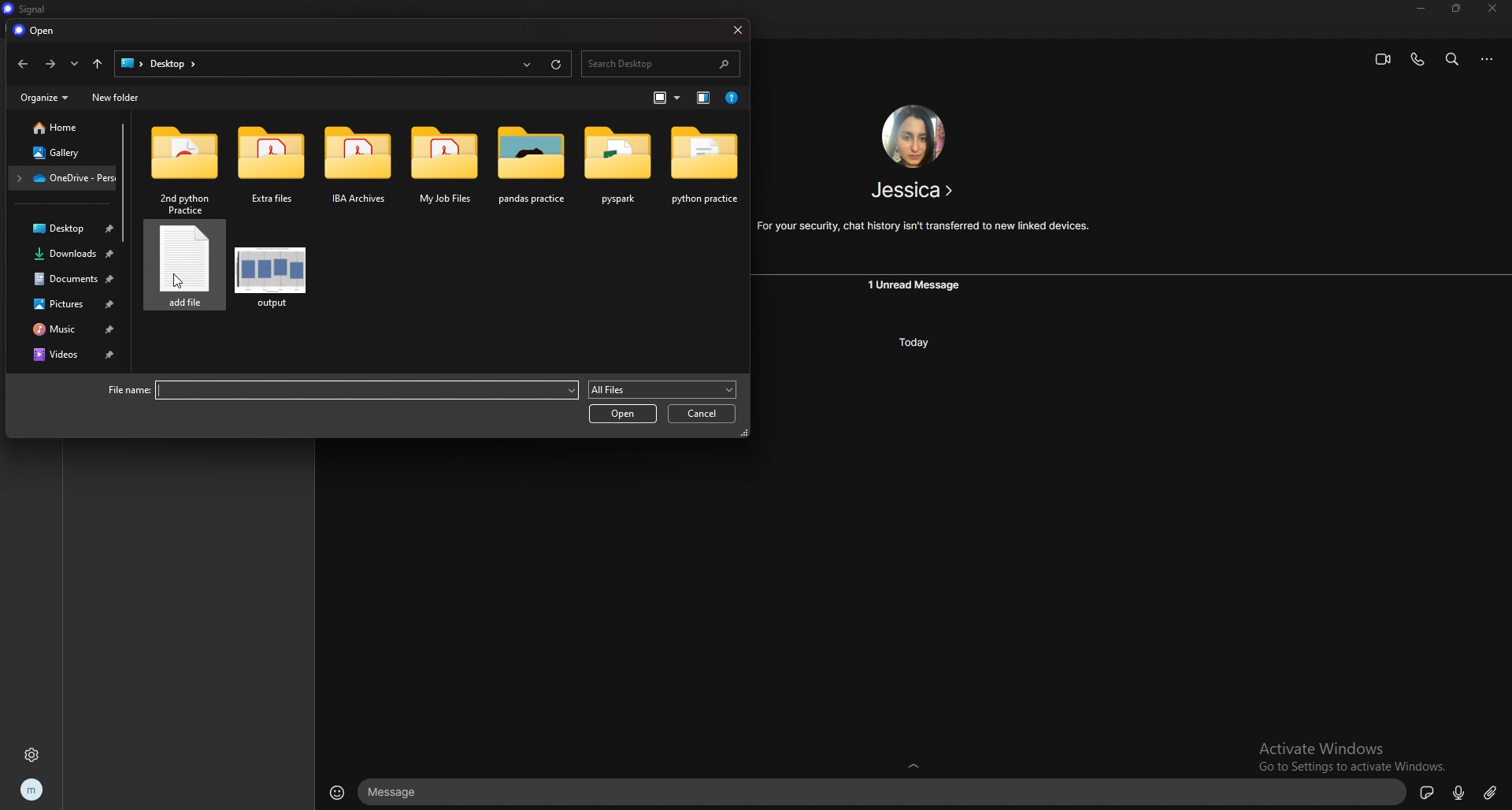 The height and width of the screenshot is (810, 1512). What do you see at coordinates (1488, 59) in the screenshot?
I see `options` at bounding box center [1488, 59].